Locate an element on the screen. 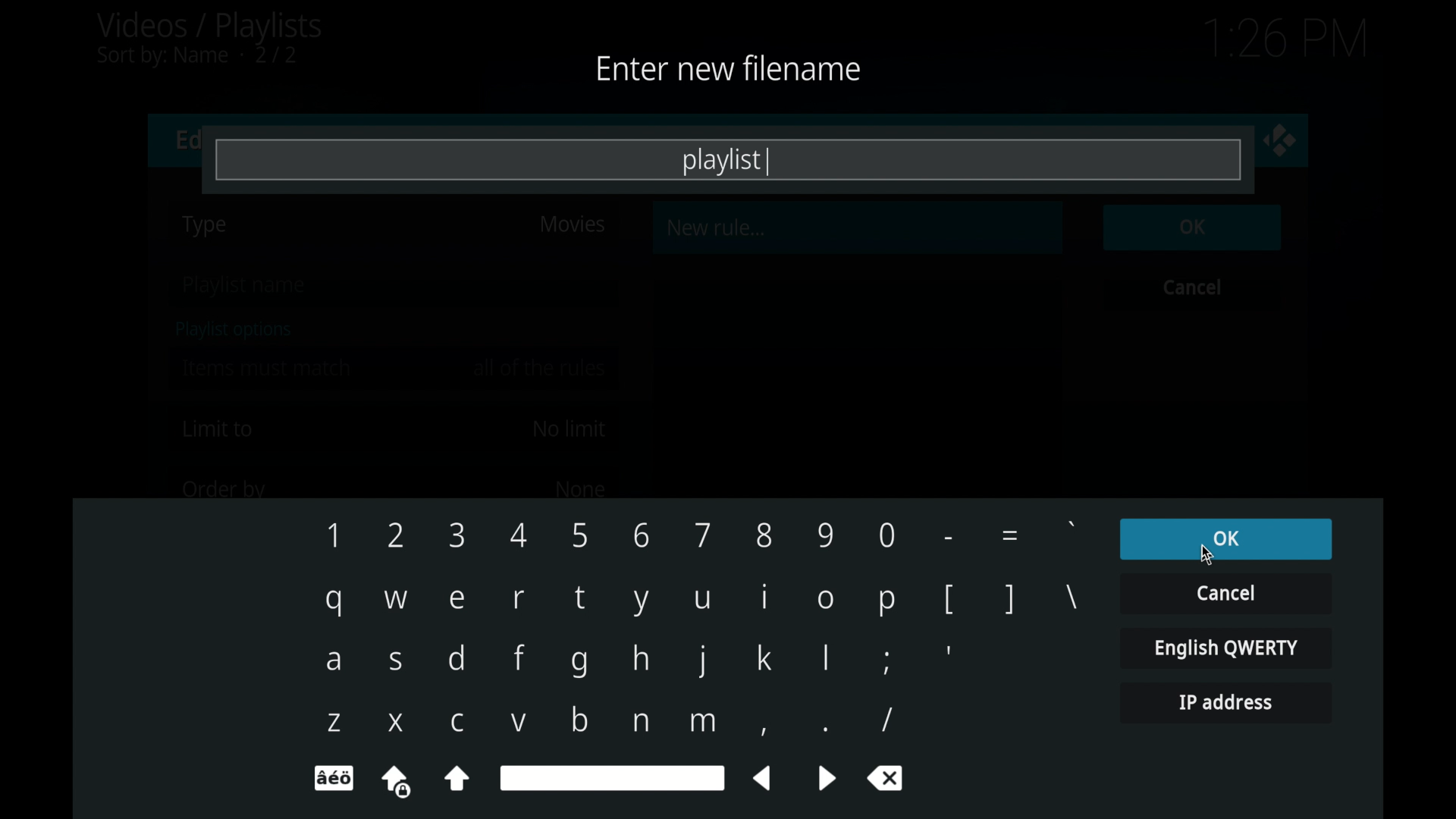 The width and height of the screenshot is (1456, 819). ip address is located at coordinates (1225, 703).